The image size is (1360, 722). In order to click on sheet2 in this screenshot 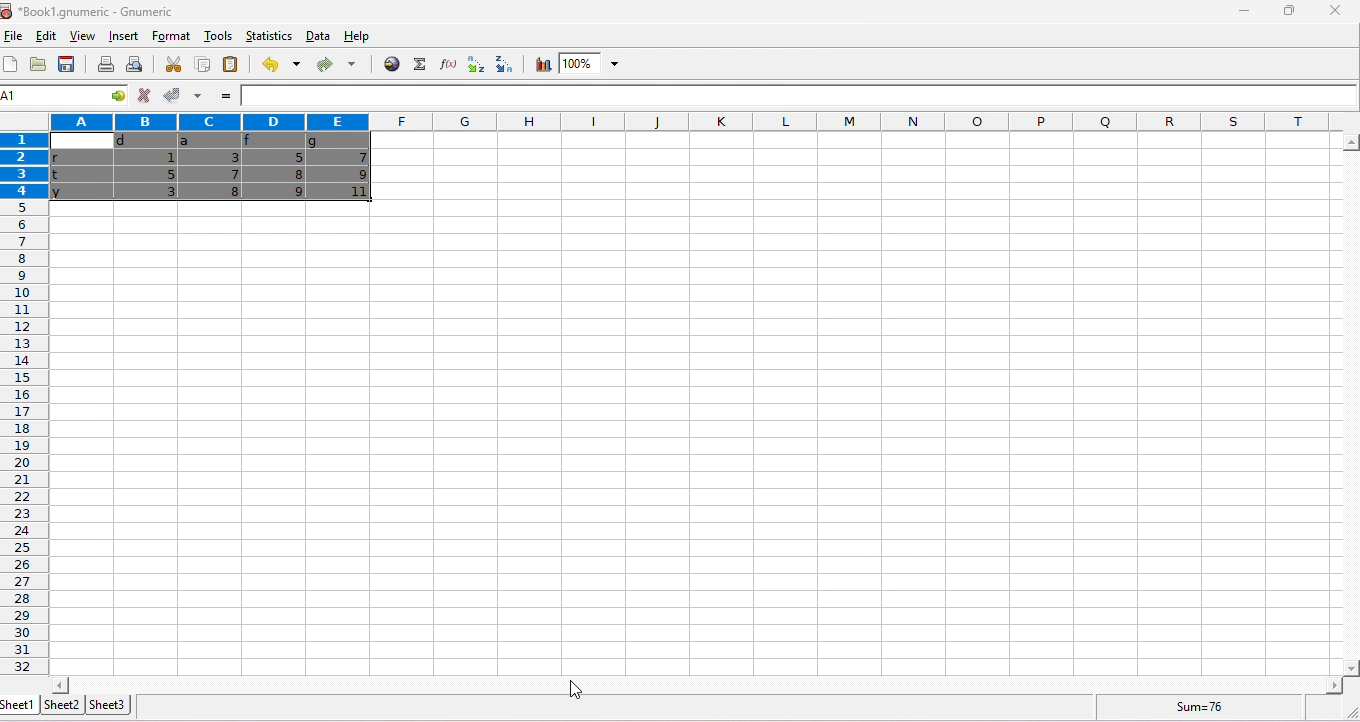, I will do `click(61, 704)`.